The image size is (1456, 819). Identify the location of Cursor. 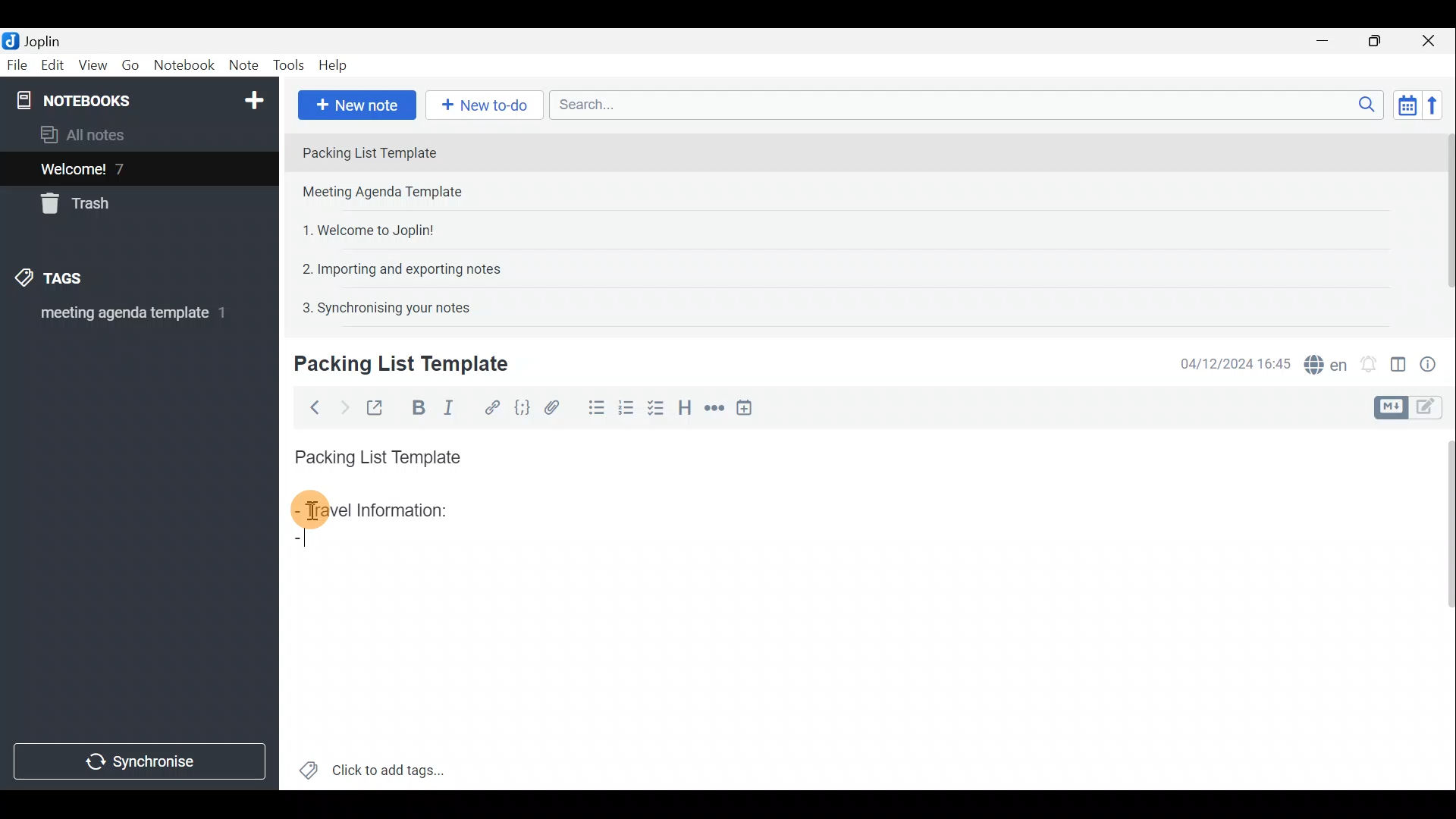
(303, 544).